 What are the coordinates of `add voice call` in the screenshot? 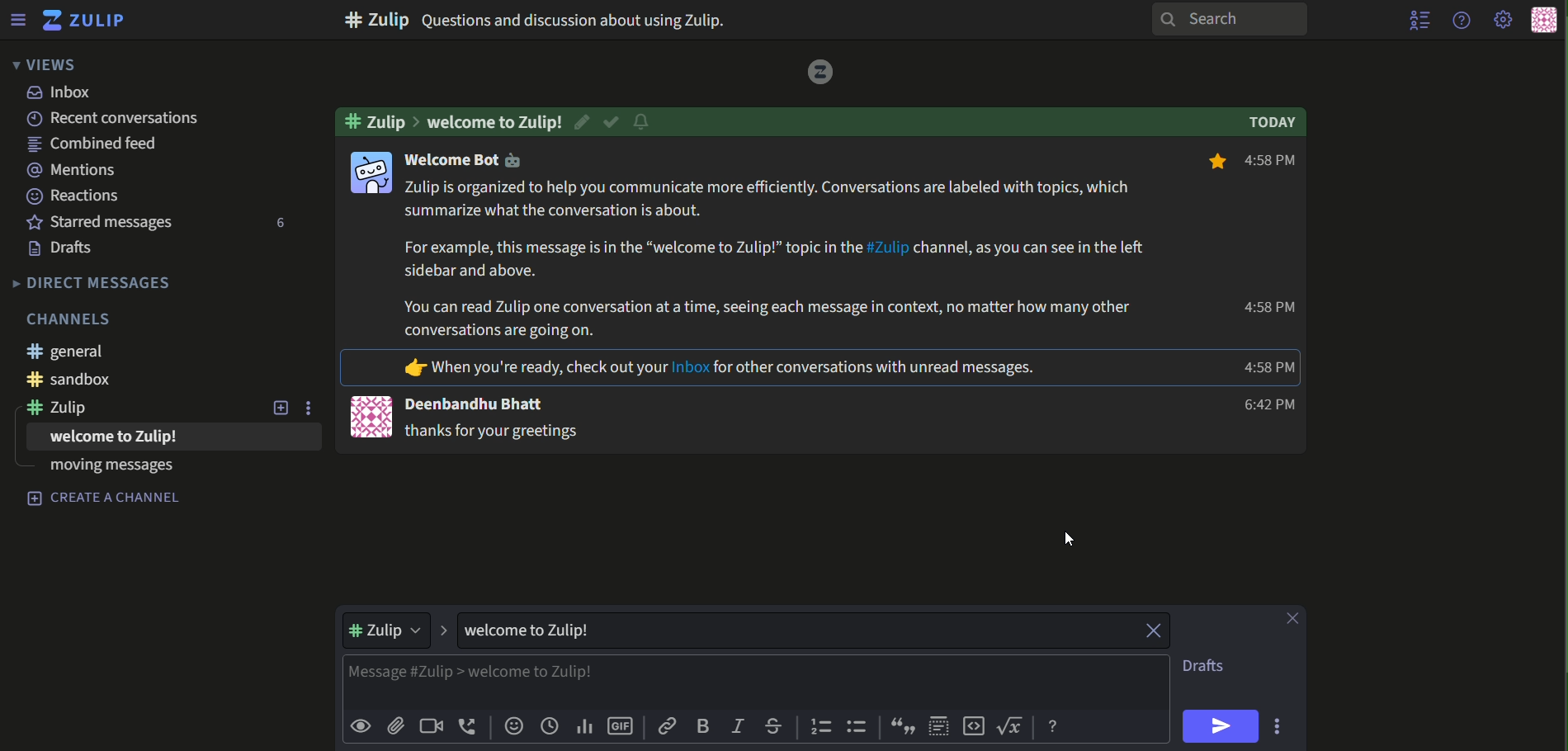 It's located at (469, 726).